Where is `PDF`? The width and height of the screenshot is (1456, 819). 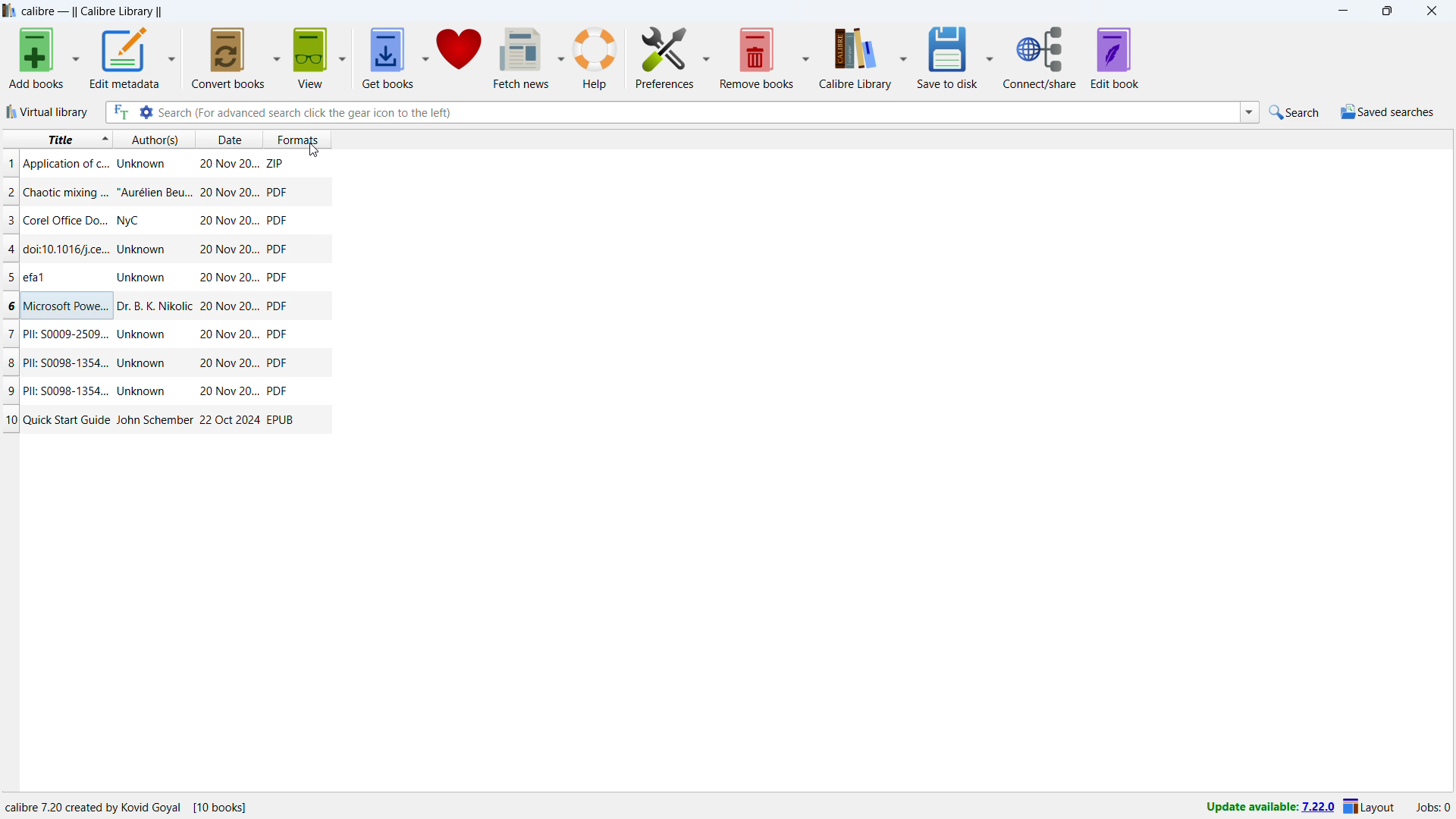 PDF is located at coordinates (278, 249).